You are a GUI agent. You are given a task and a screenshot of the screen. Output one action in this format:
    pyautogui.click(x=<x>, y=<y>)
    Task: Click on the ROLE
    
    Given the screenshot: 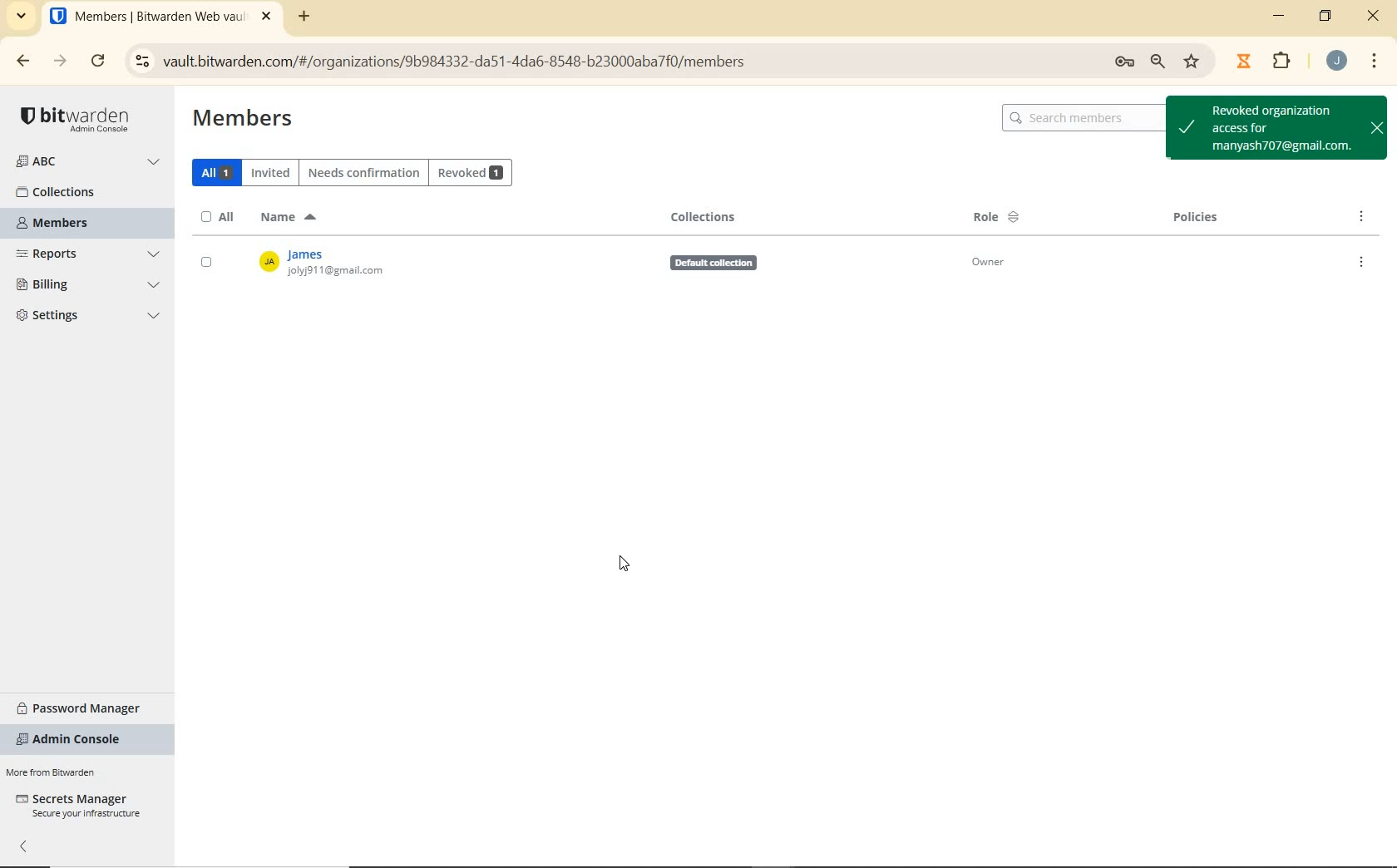 What is the action you would take?
    pyautogui.click(x=993, y=219)
    